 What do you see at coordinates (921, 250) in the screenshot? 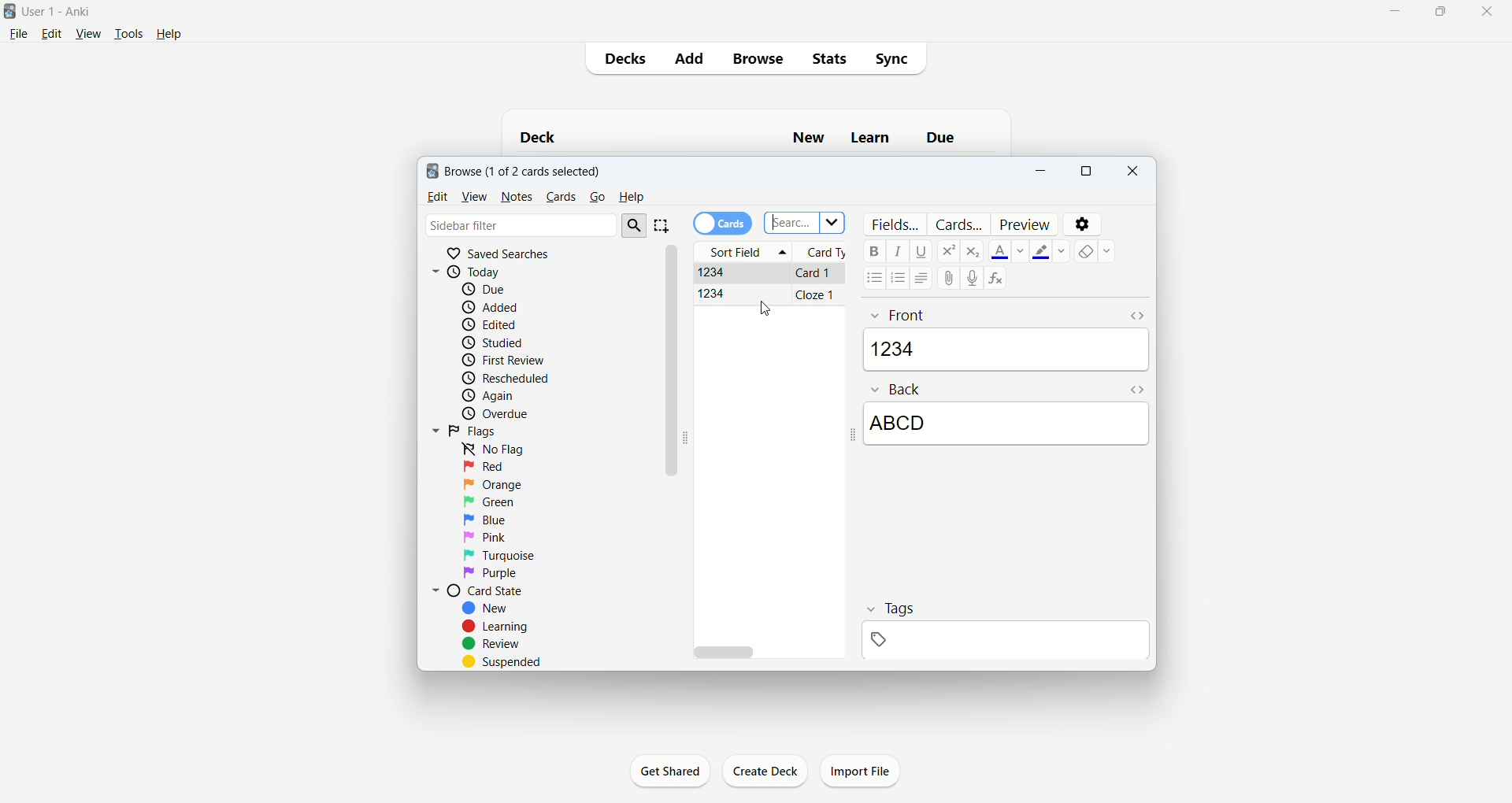
I see `underline` at bounding box center [921, 250].